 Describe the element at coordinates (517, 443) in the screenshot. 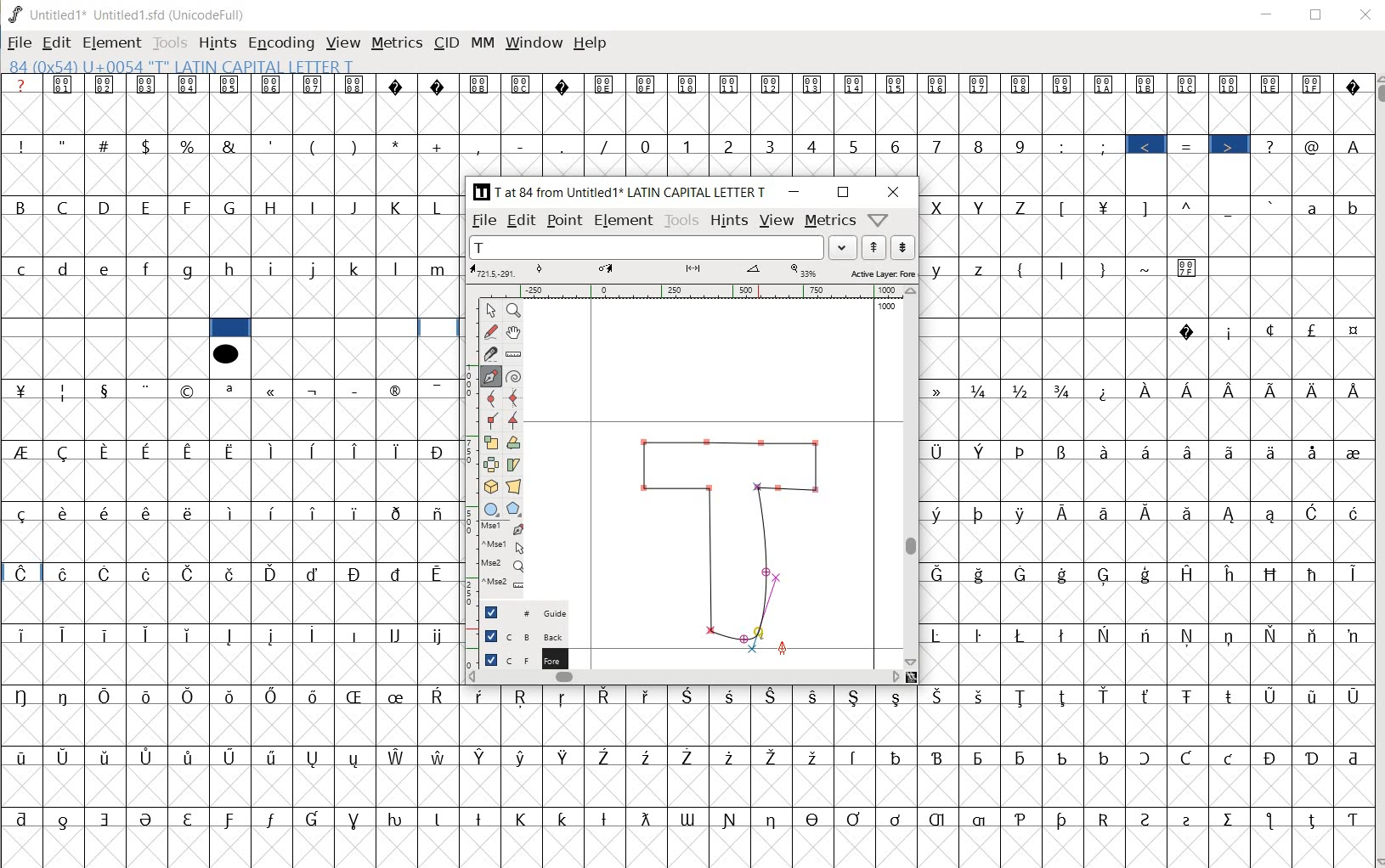

I see `rotate` at that location.